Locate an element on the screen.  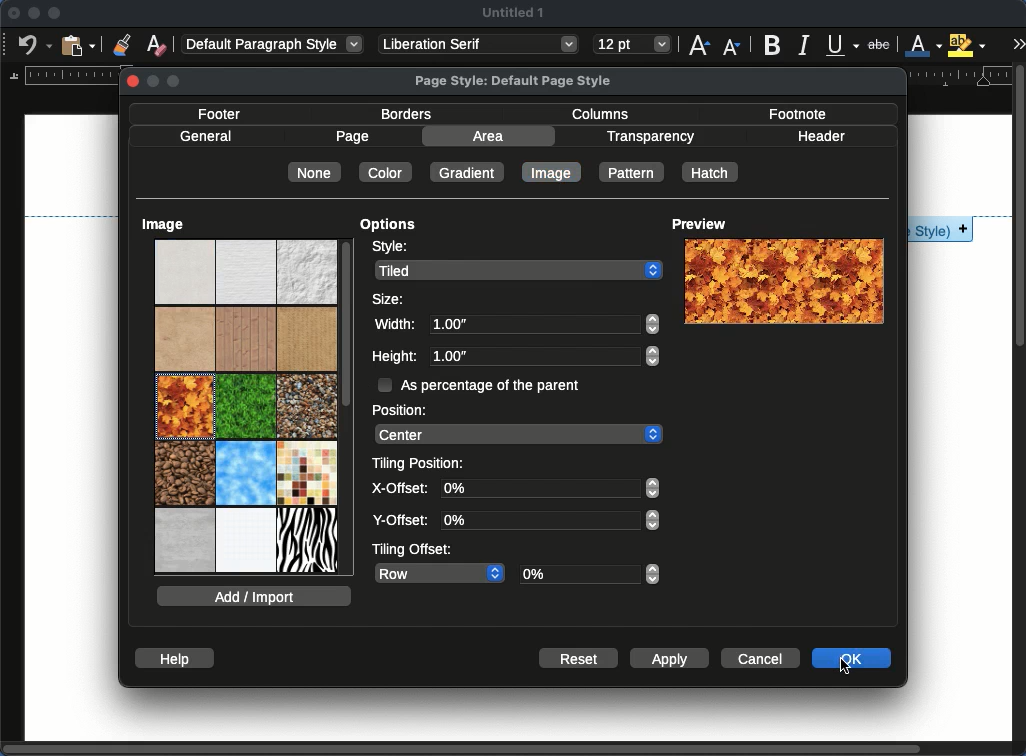
1.00 is located at coordinates (545, 357).